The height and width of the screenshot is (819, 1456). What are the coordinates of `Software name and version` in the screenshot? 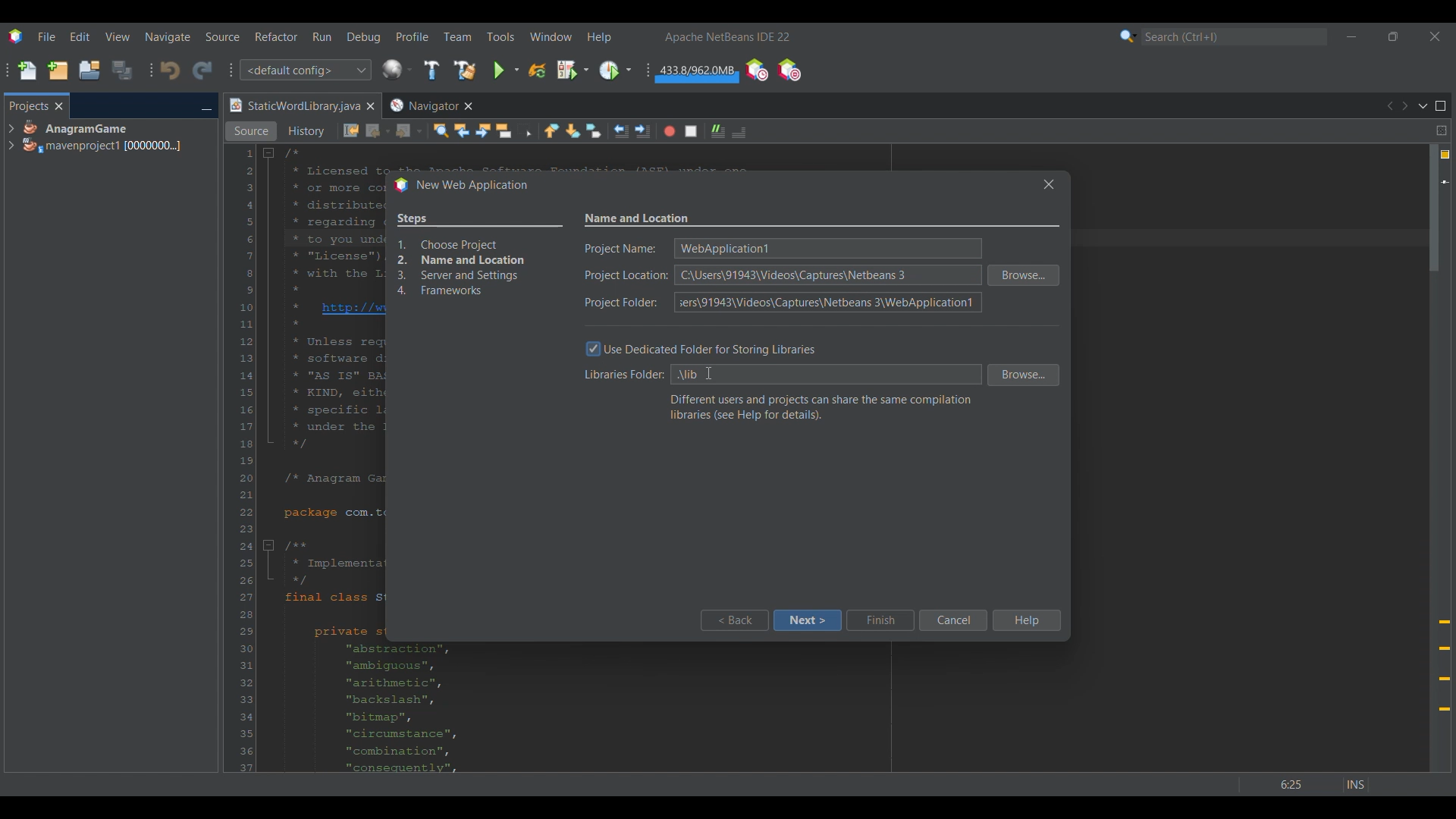 It's located at (728, 36).